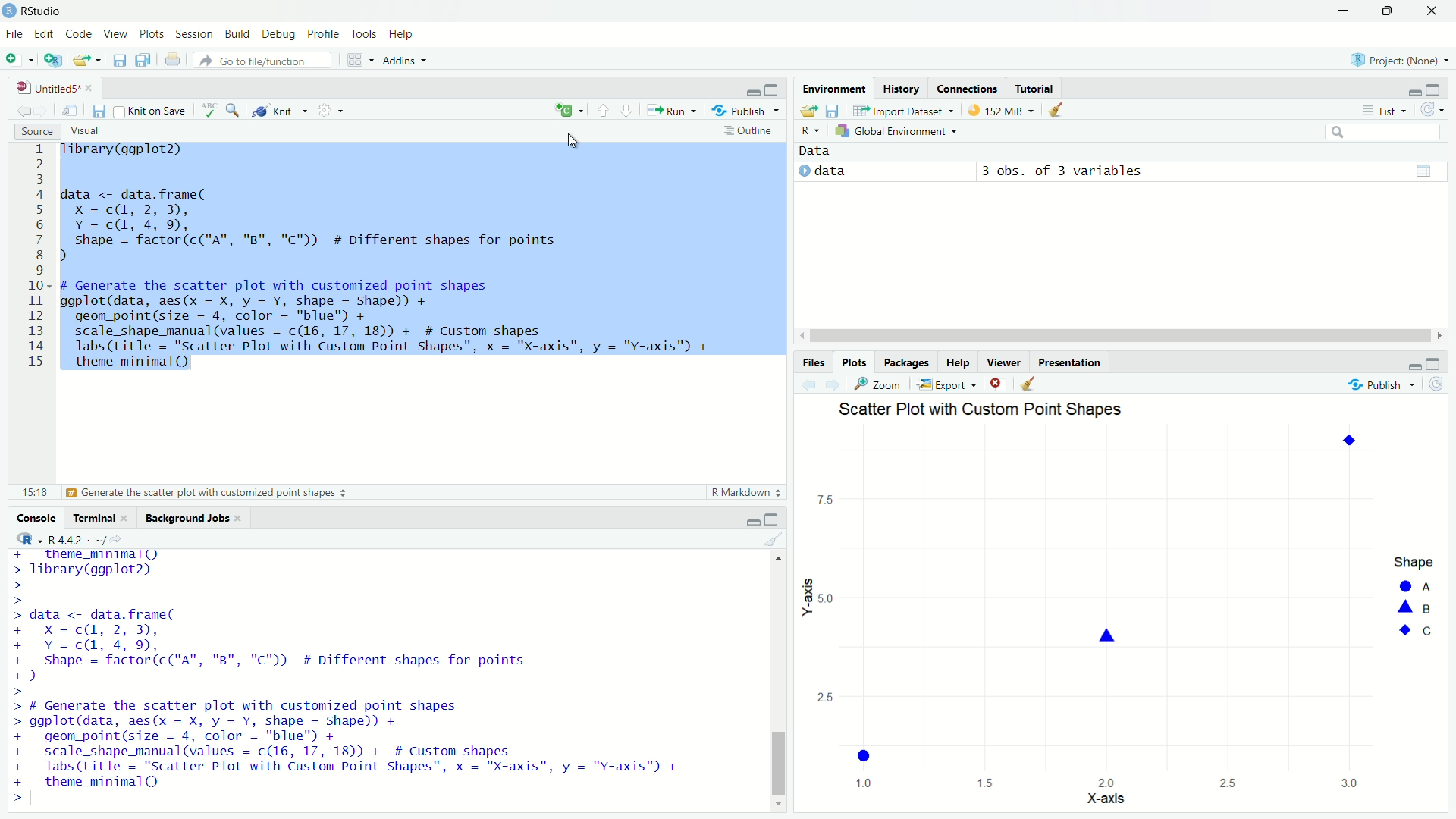 Image resolution: width=1456 pixels, height=819 pixels. Describe the element at coordinates (124, 518) in the screenshot. I see `close` at that location.